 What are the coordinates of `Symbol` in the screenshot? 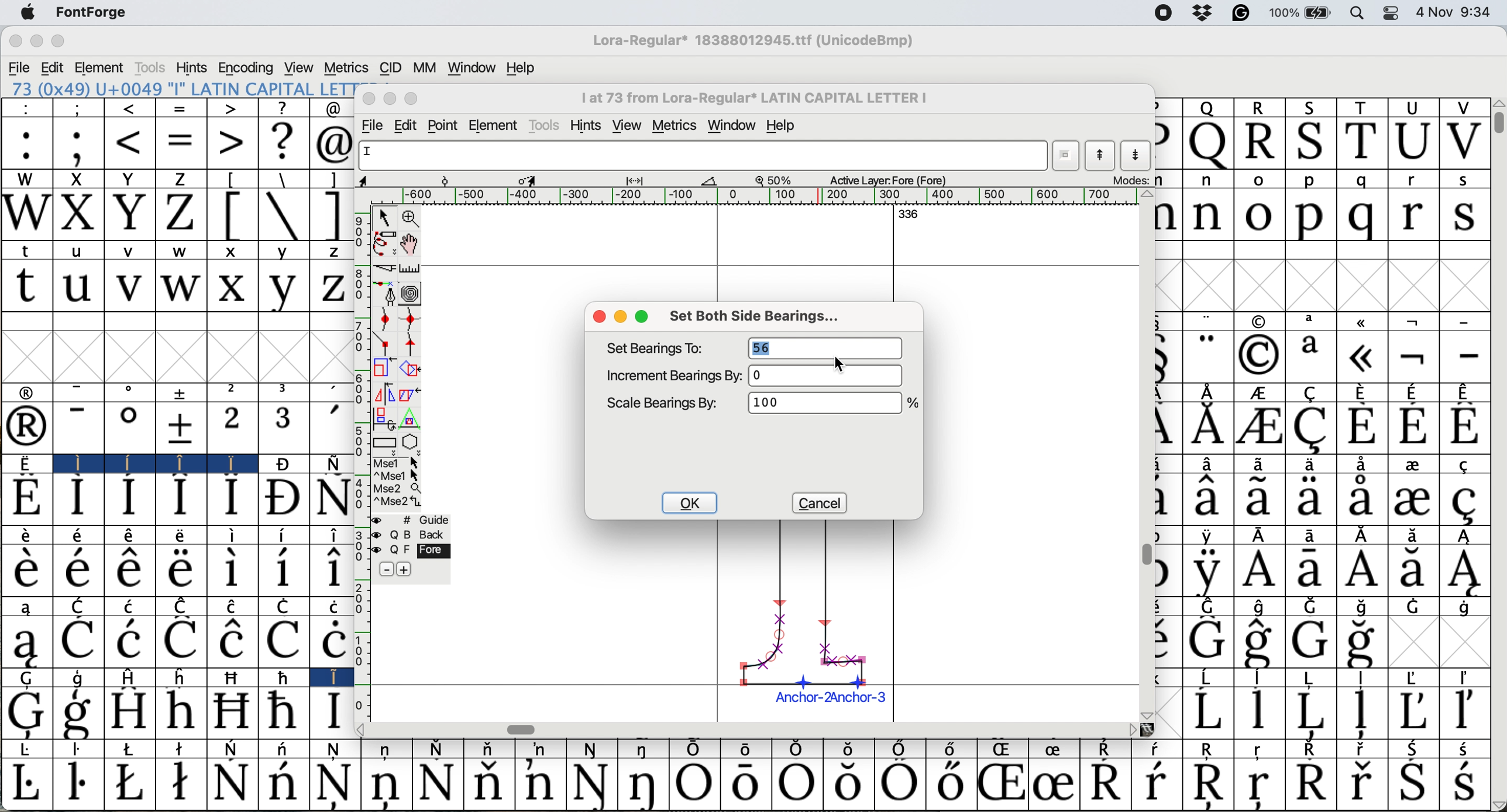 It's located at (128, 429).